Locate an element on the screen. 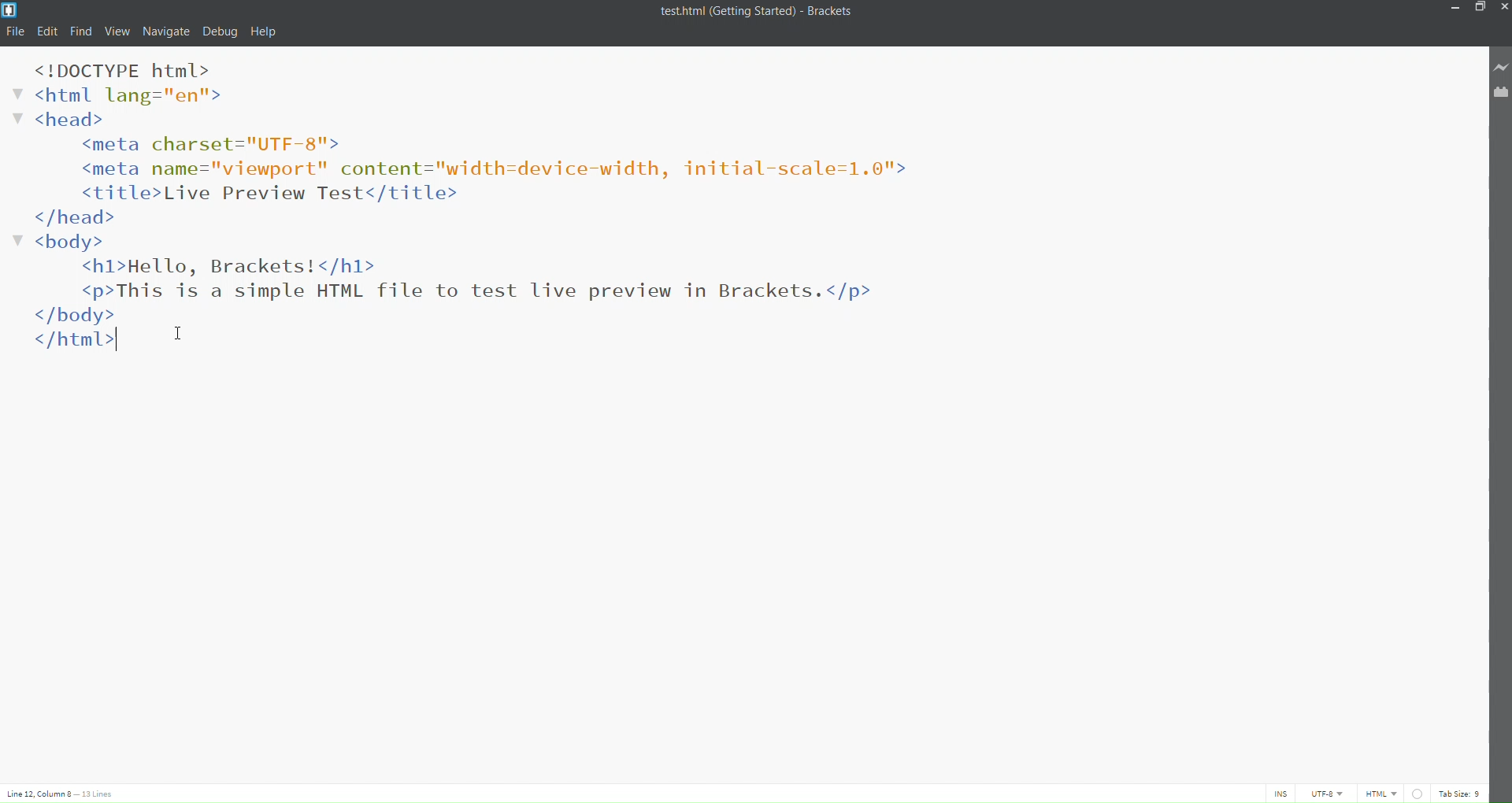 This screenshot has width=1512, height=803. Debug is located at coordinates (218, 32).